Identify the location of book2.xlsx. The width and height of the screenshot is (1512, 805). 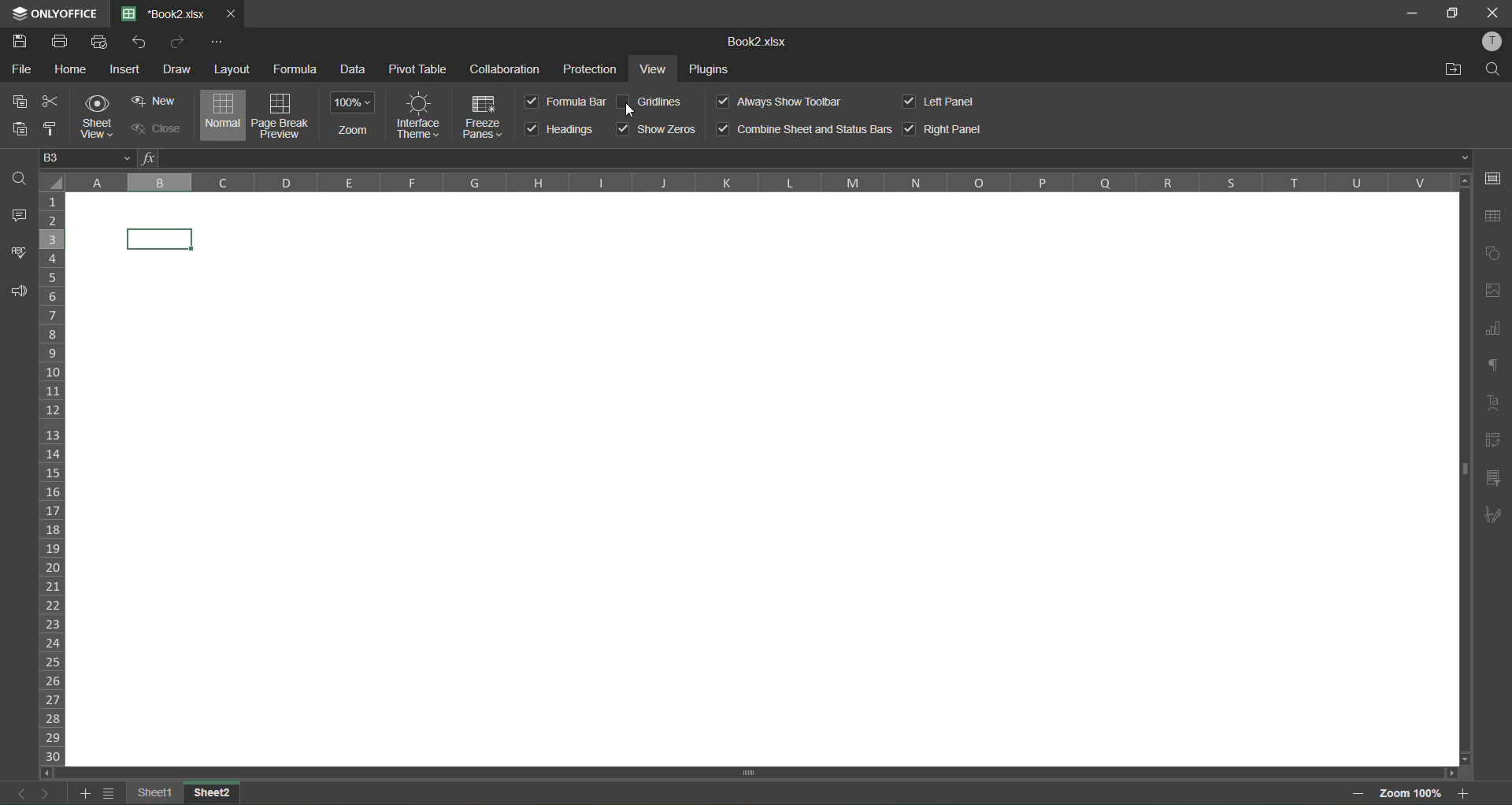
(760, 43).